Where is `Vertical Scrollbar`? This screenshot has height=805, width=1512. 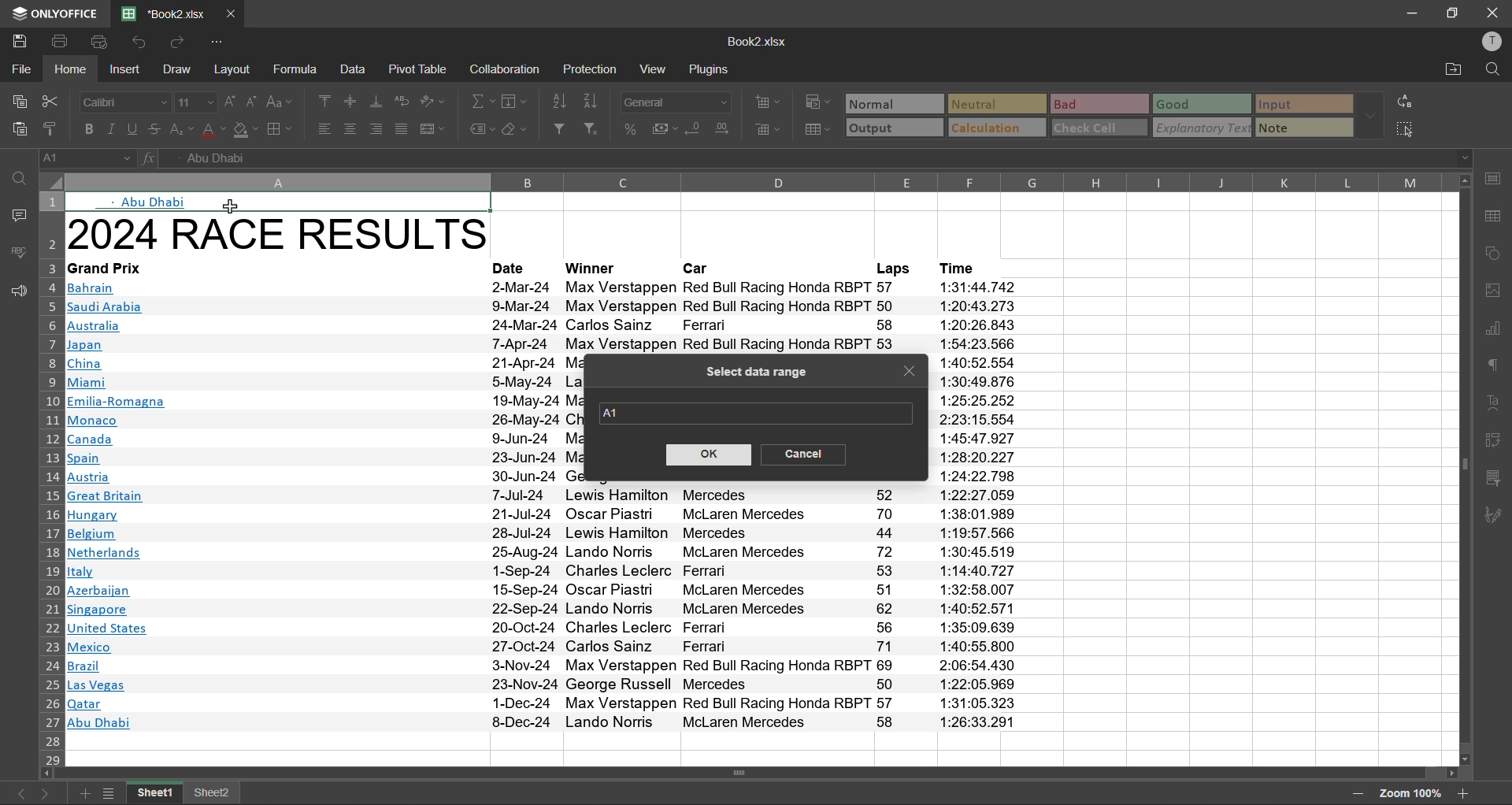
Vertical Scrollbar is located at coordinates (751, 774).